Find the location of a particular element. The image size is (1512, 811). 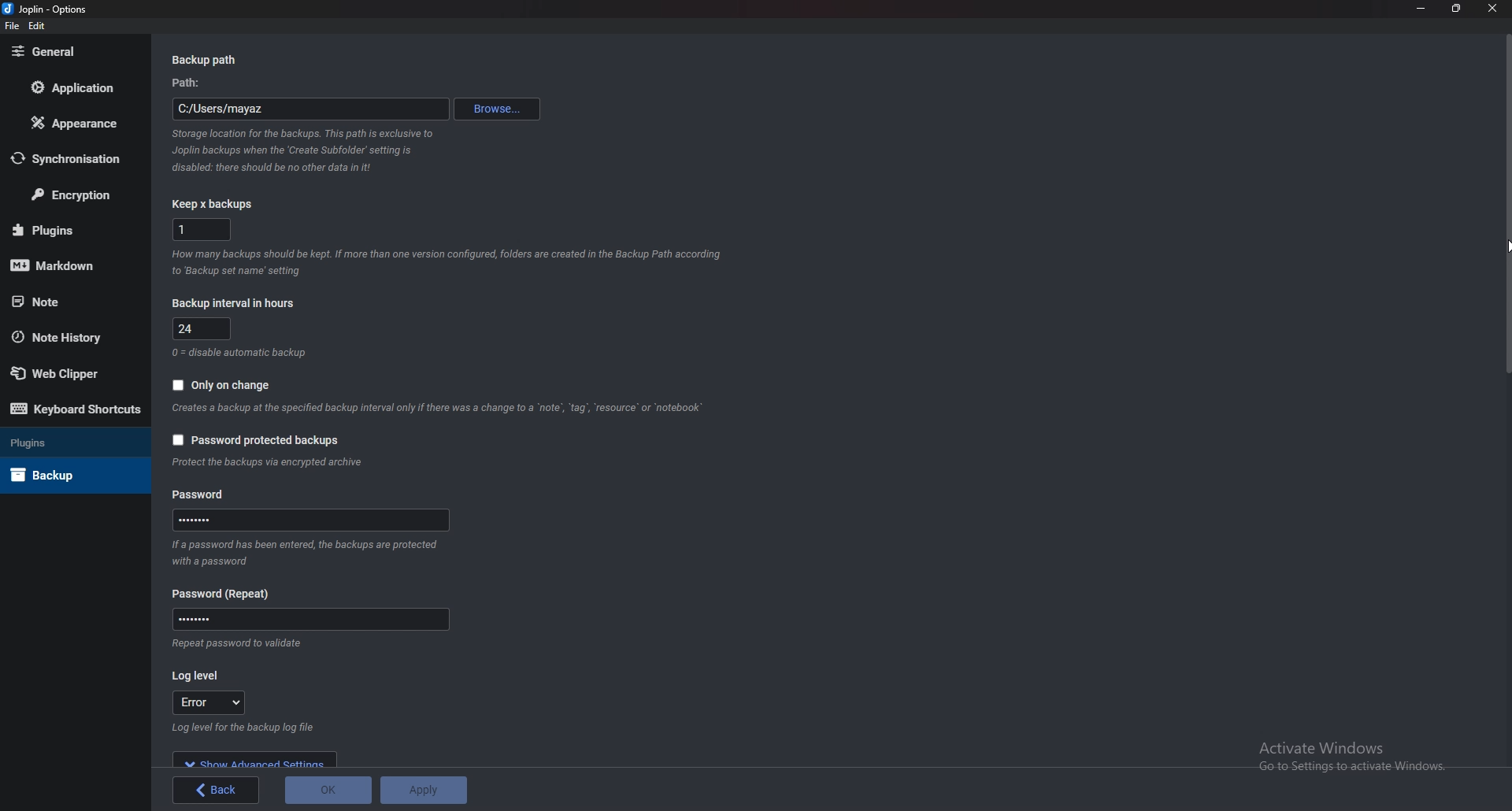

close is located at coordinates (1495, 8).